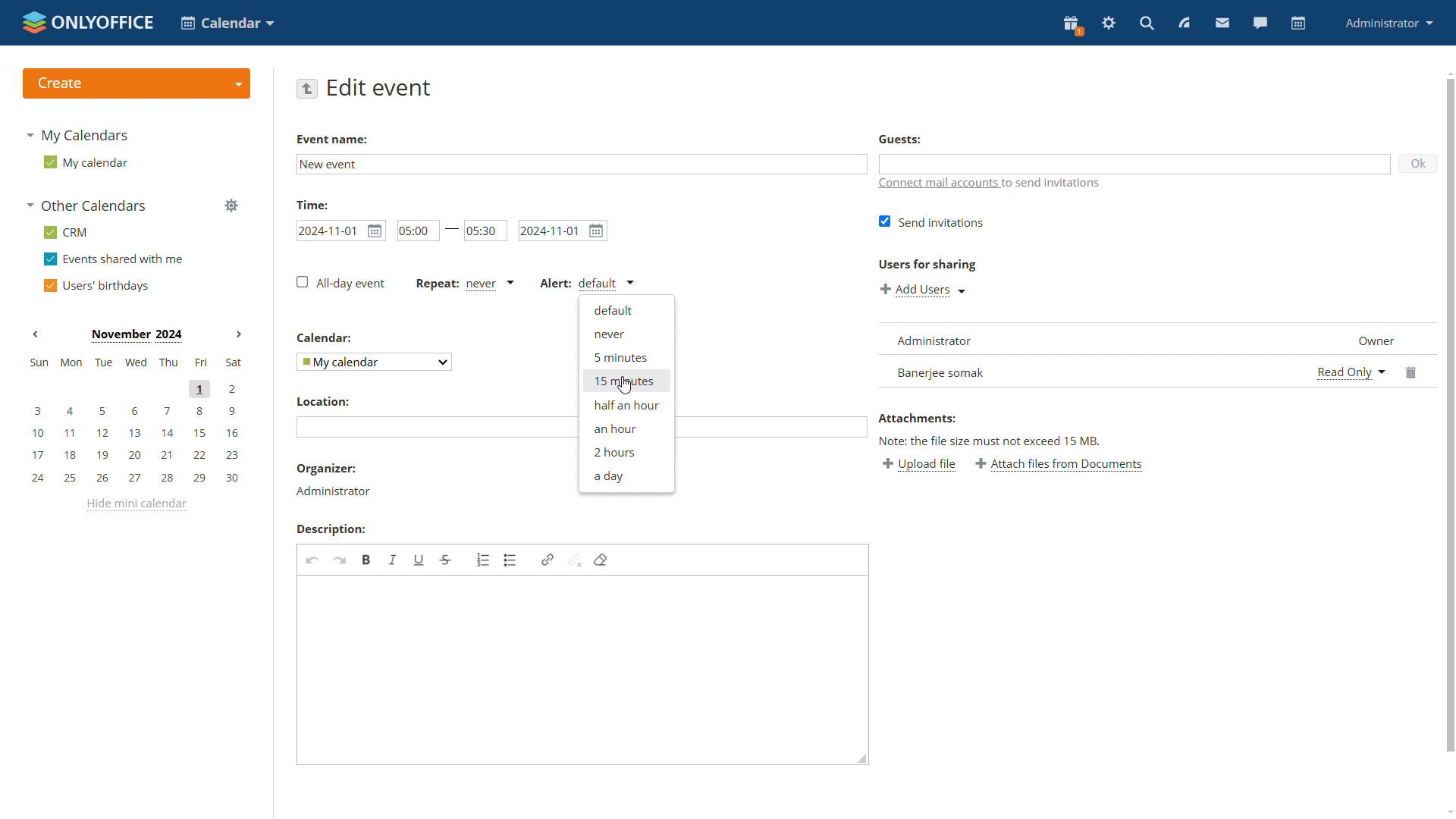  I want to click on add user, so click(924, 291).